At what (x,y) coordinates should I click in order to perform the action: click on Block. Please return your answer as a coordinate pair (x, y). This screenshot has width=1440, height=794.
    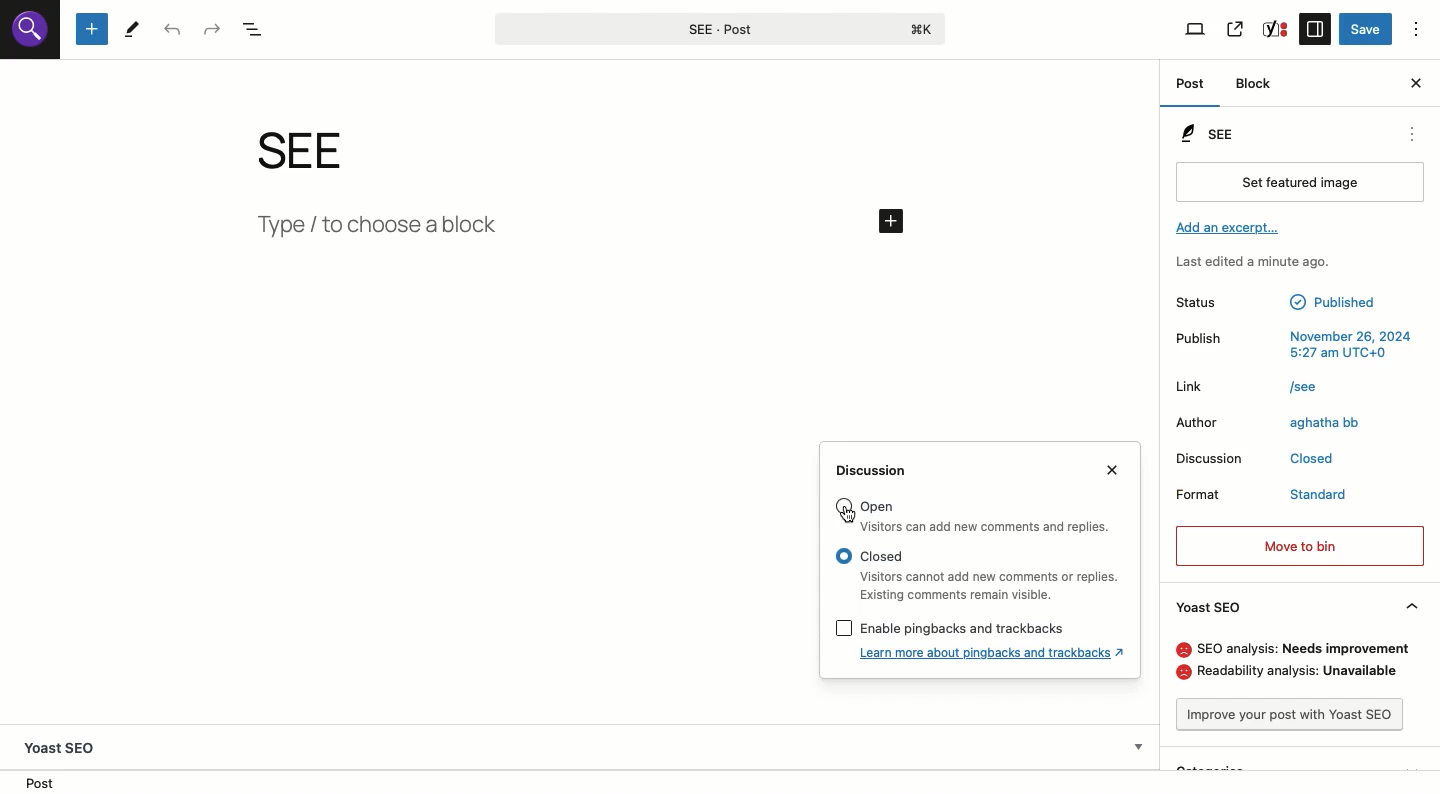
    Looking at the image, I should click on (1257, 85).